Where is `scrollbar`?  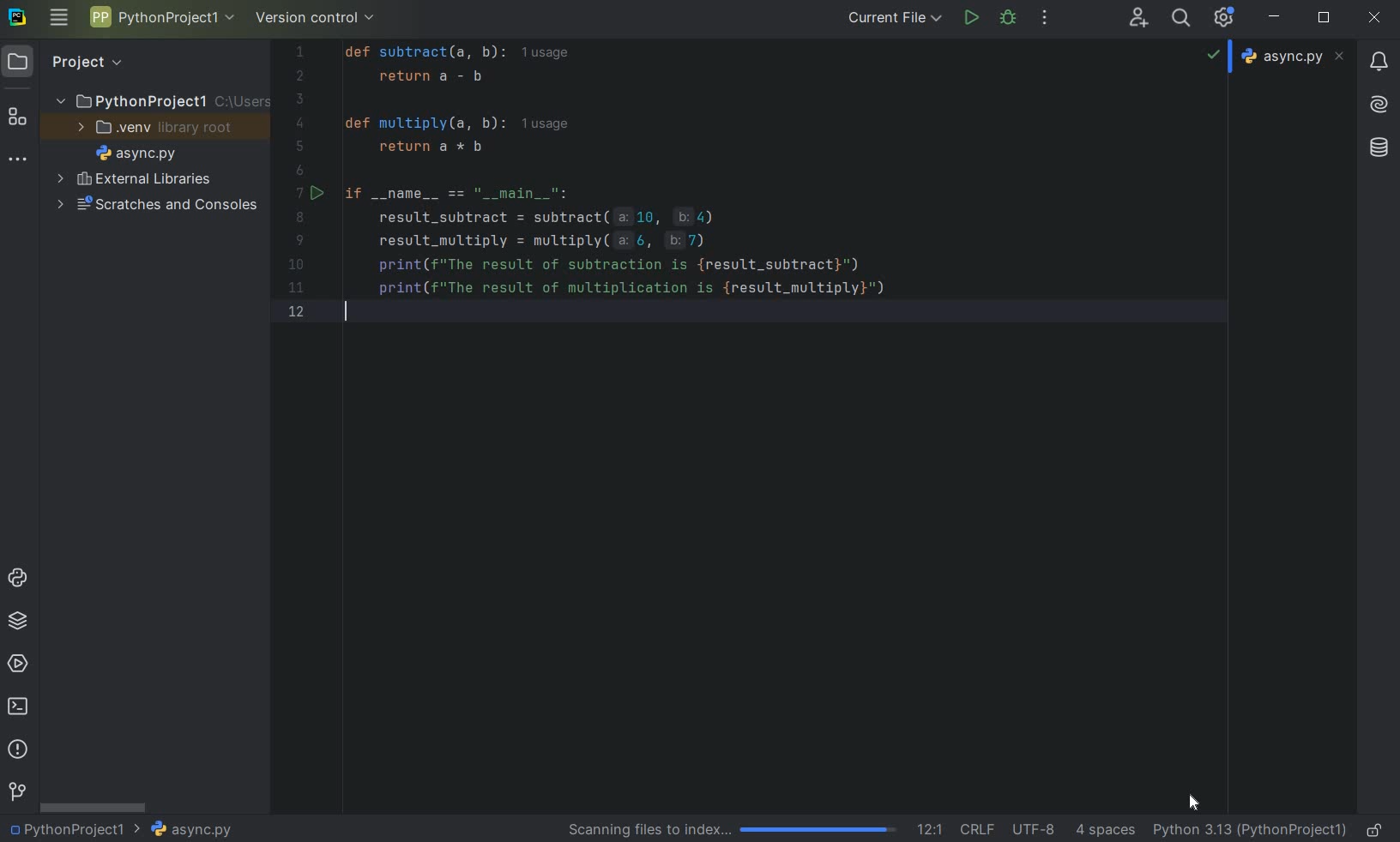 scrollbar is located at coordinates (94, 806).